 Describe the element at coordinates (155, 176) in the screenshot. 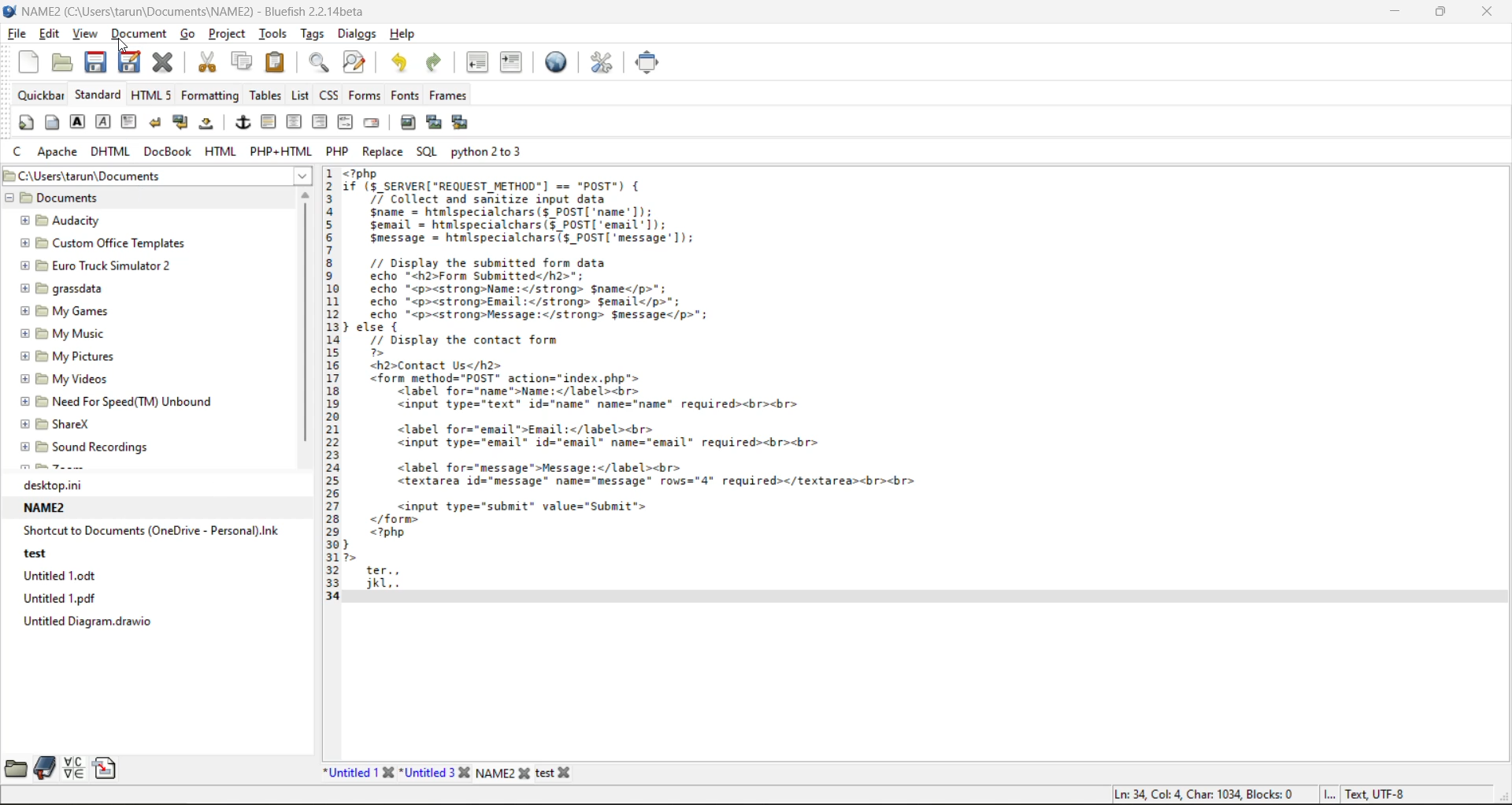

I see `file path` at that location.